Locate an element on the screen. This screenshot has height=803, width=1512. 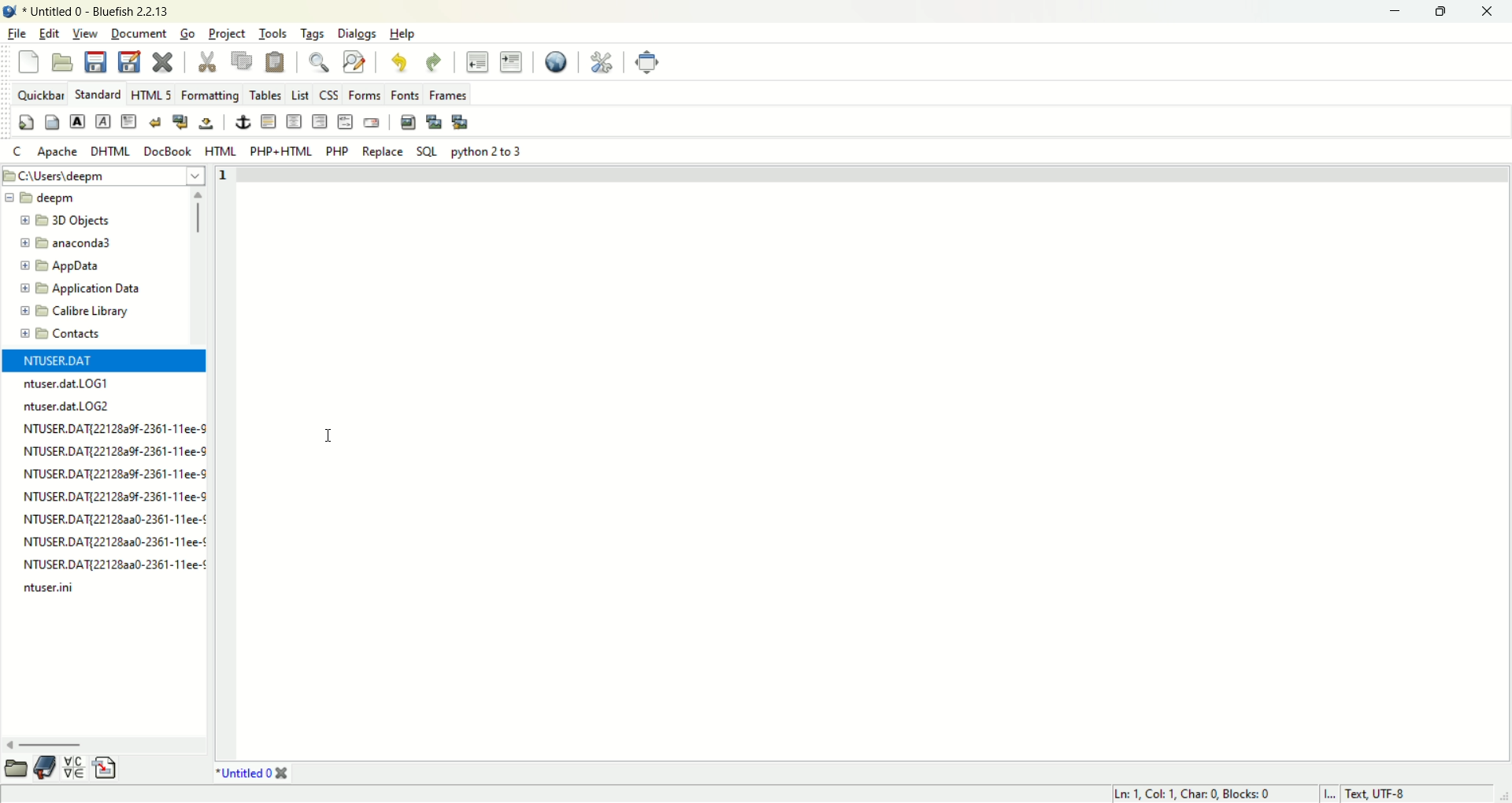
bookmarks is located at coordinates (46, 768).